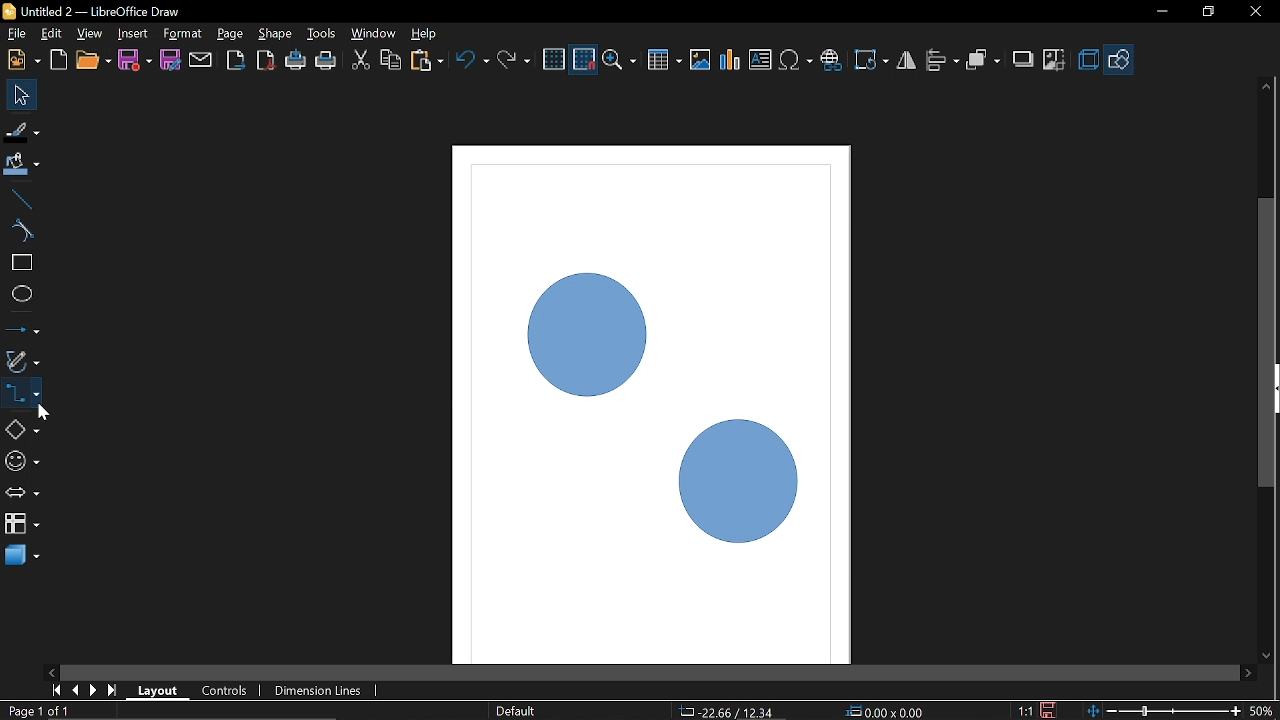 The height and width of the screenshot is (720, 1280). Describe the element at coordinates (133, 60) in the screenshot. I see `Save` at that location.